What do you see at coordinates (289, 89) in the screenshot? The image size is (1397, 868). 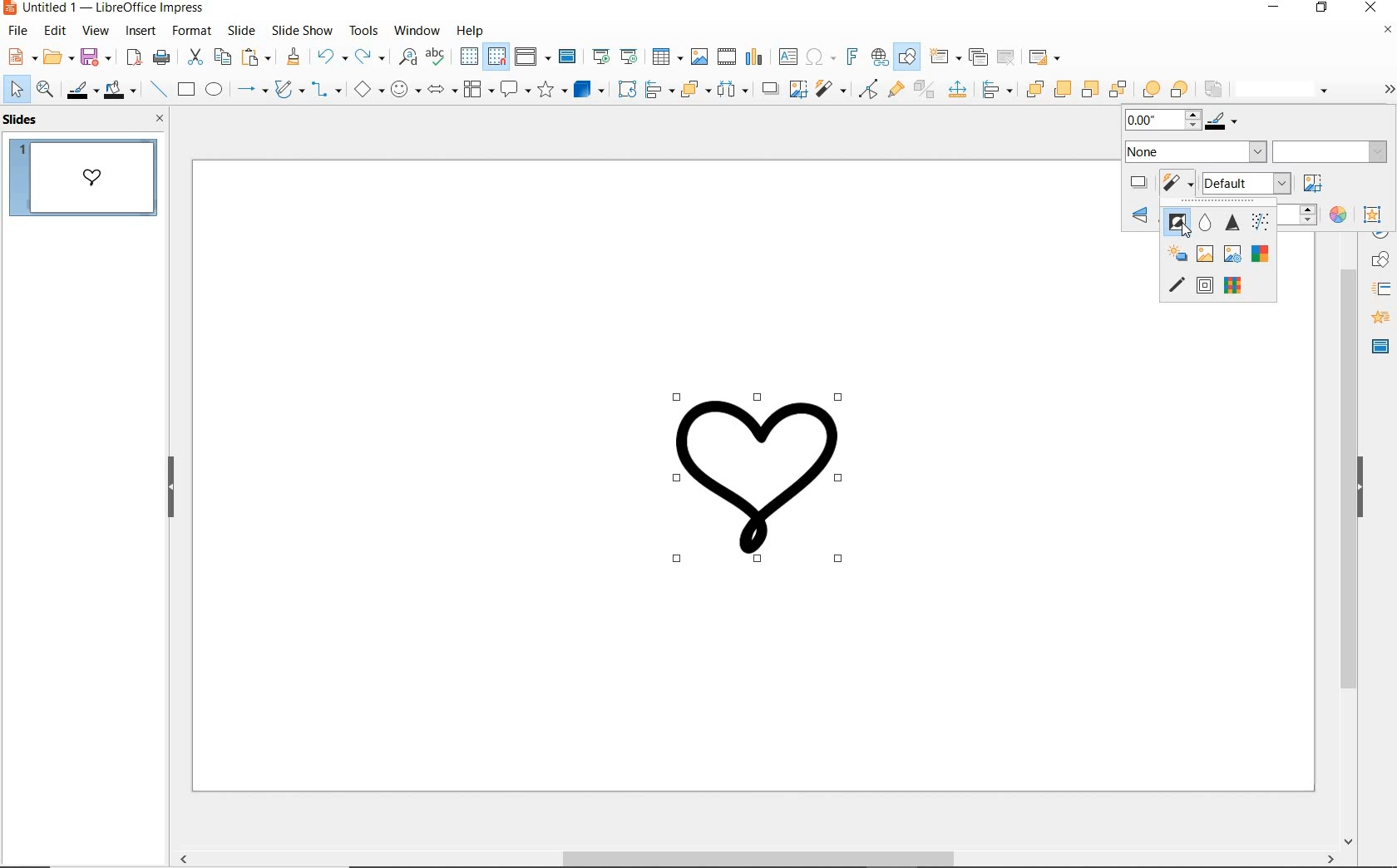 I see `curves & polygons` at bounding box center [289, 89].